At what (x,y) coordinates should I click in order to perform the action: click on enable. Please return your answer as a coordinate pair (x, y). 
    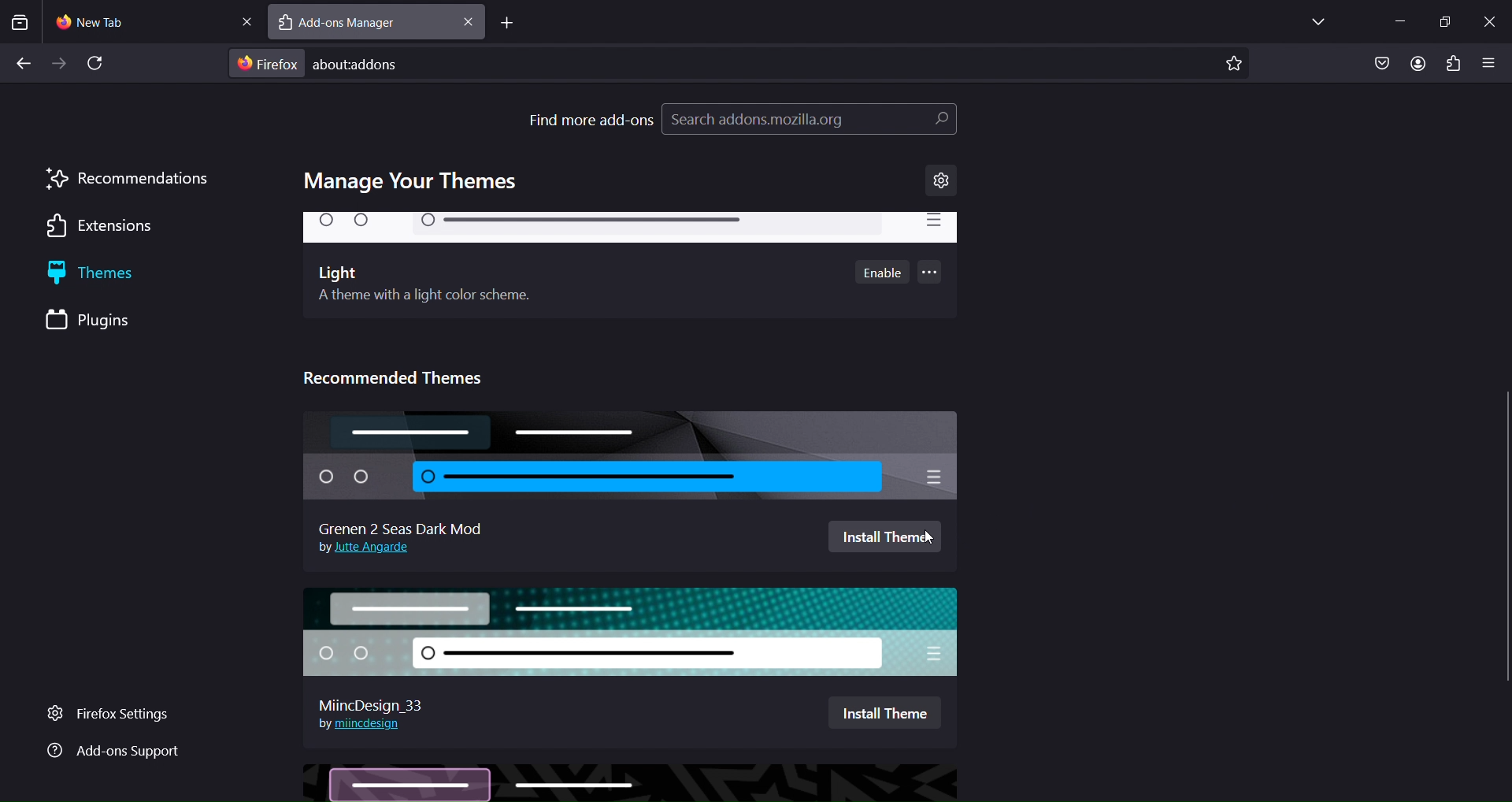
    Looking at the image, I should click on (884, 272).